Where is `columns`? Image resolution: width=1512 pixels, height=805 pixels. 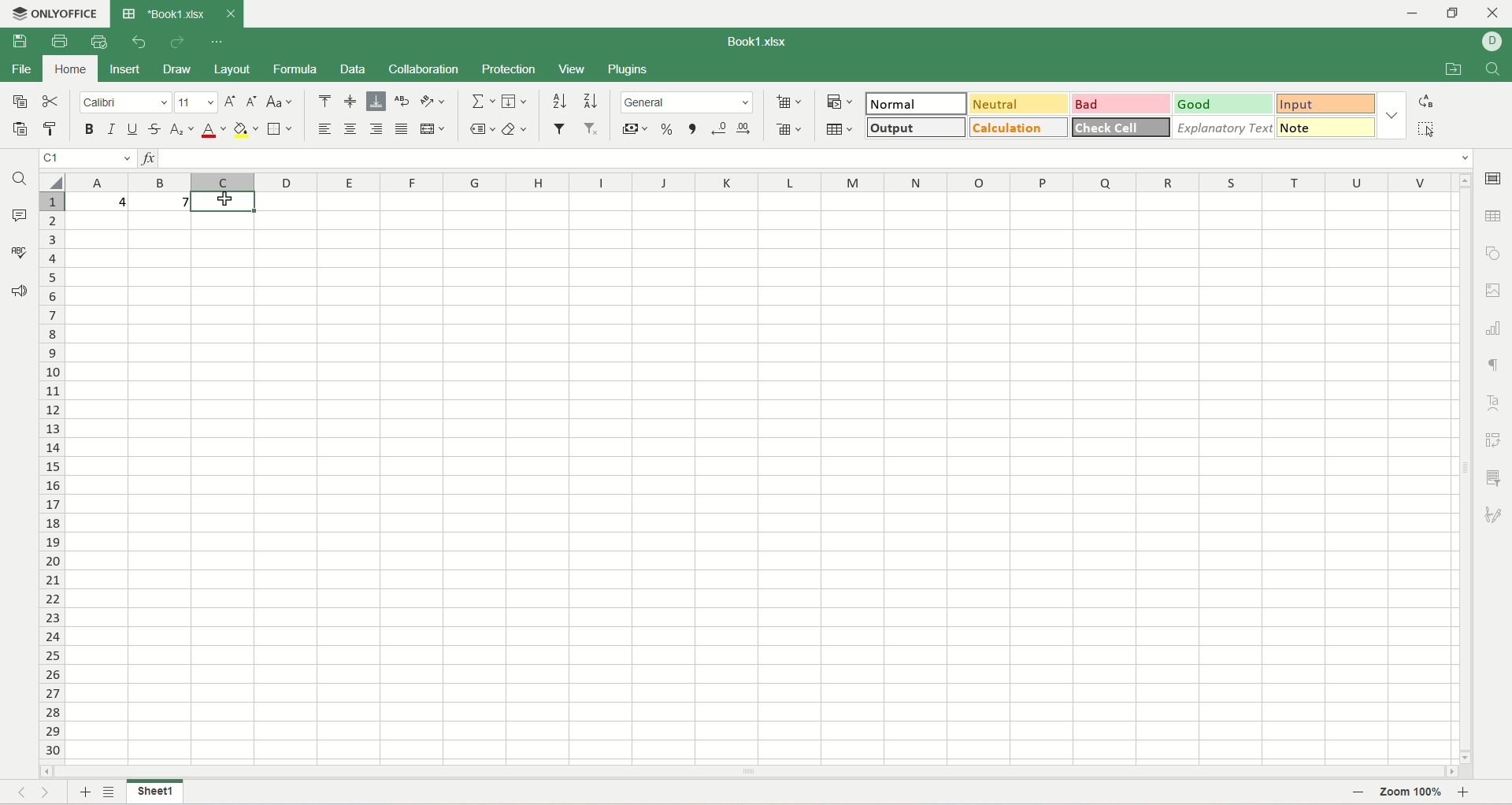 columns is located at coordinates (762, 182).